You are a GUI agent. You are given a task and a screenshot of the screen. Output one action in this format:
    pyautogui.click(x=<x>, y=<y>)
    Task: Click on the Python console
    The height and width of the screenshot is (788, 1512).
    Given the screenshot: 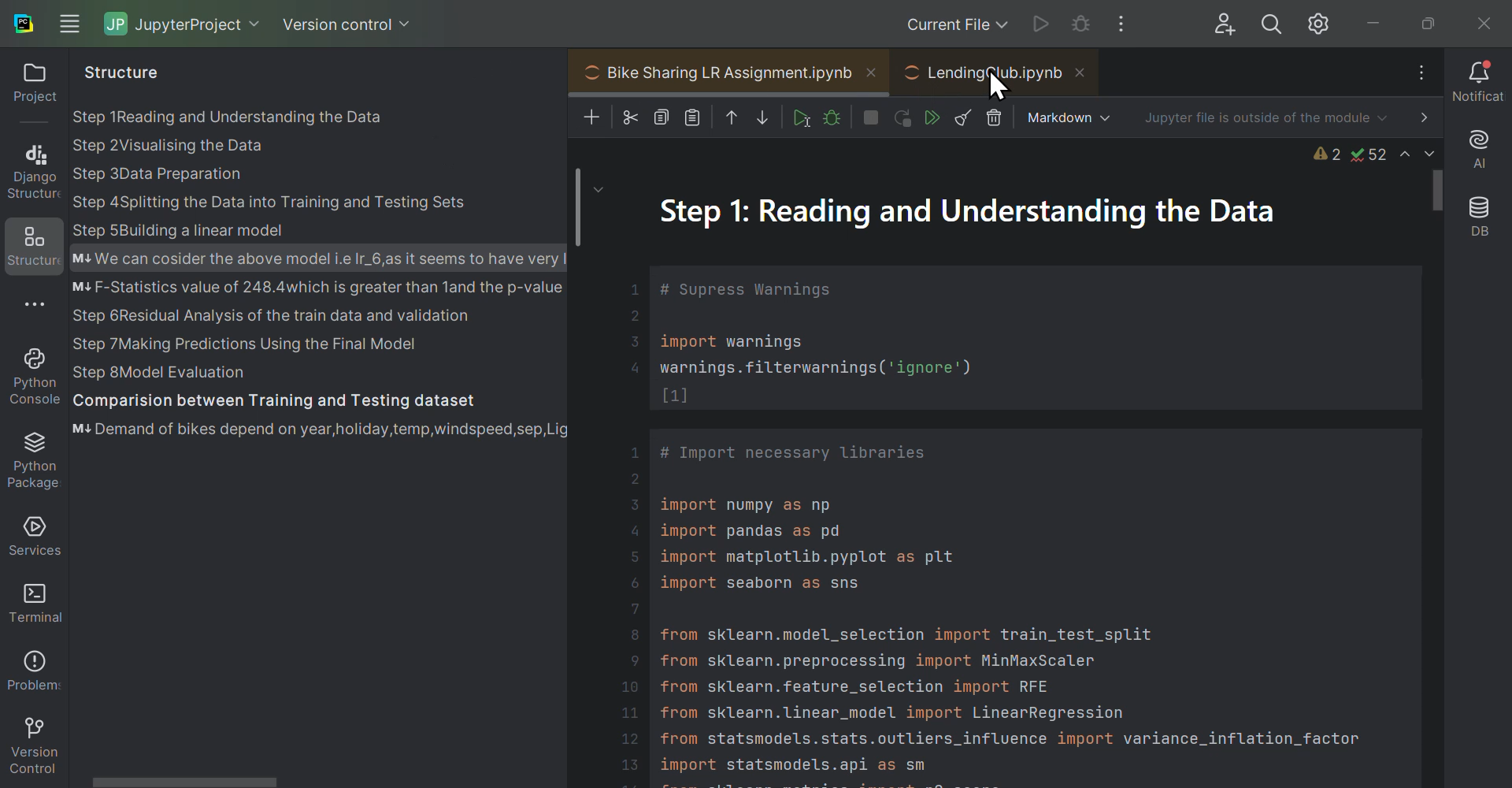 What is the action you would take?
    pyautogui.click(x=30, y=377)
    